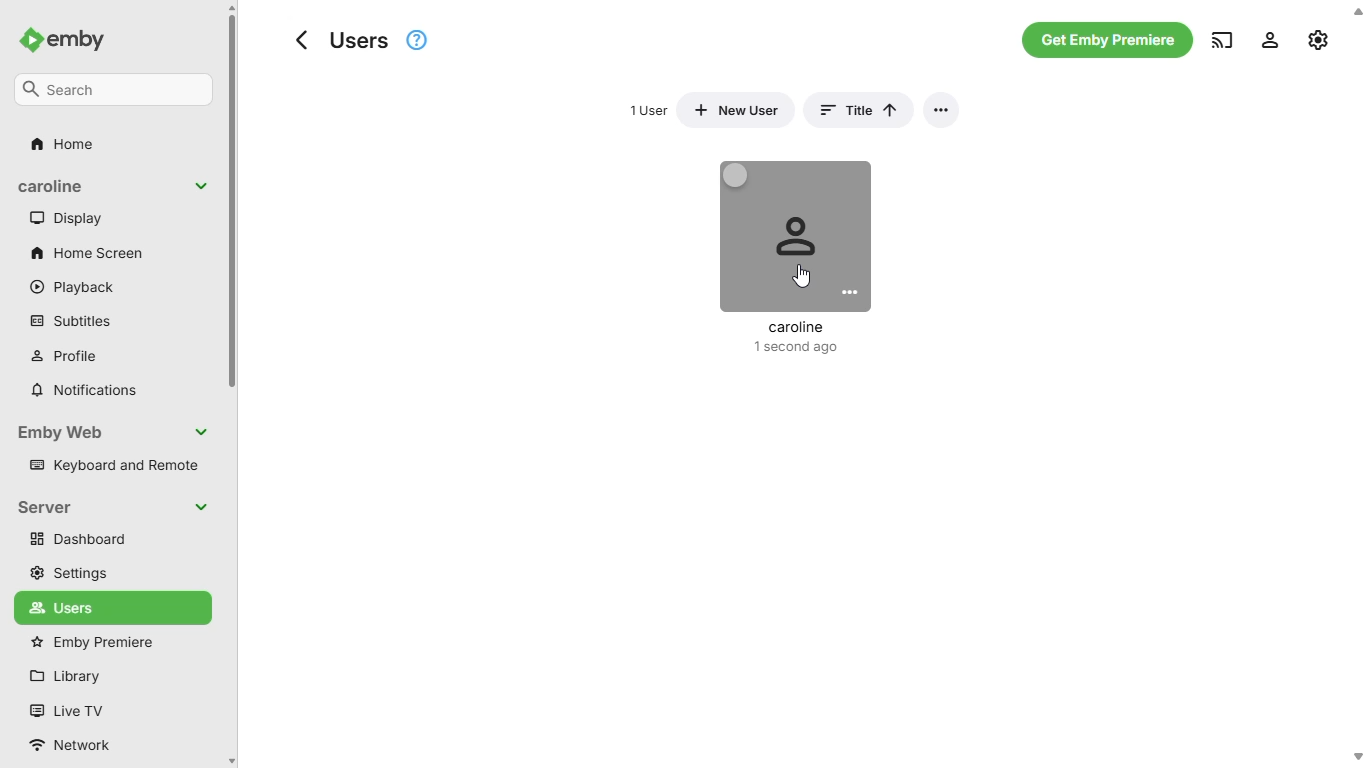 The height and width of the screenshot is (768, 1366). I want to click on vertical scroll bar, so click(234, 385).